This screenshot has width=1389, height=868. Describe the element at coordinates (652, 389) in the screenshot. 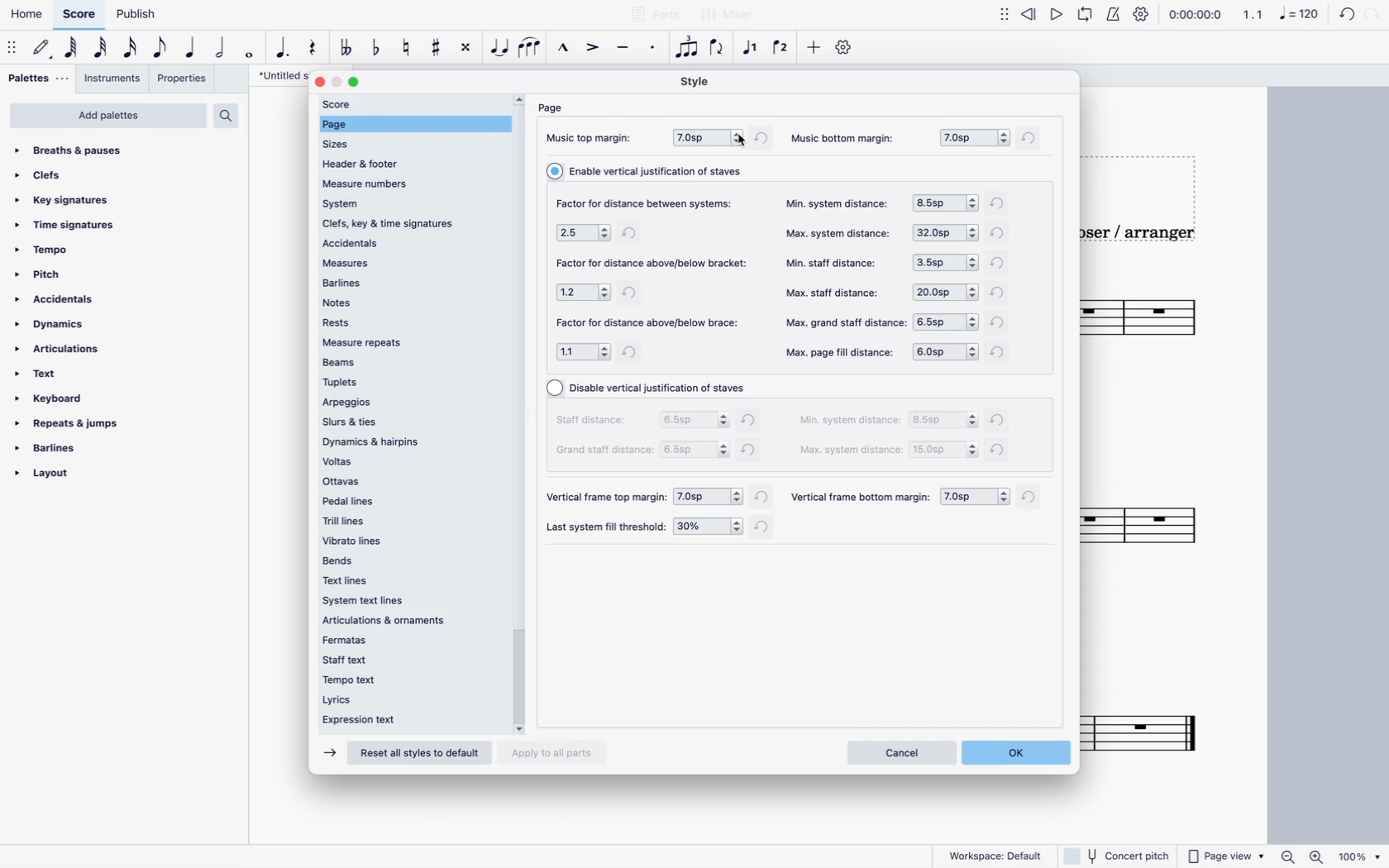

I see `vertical justification` at that location.